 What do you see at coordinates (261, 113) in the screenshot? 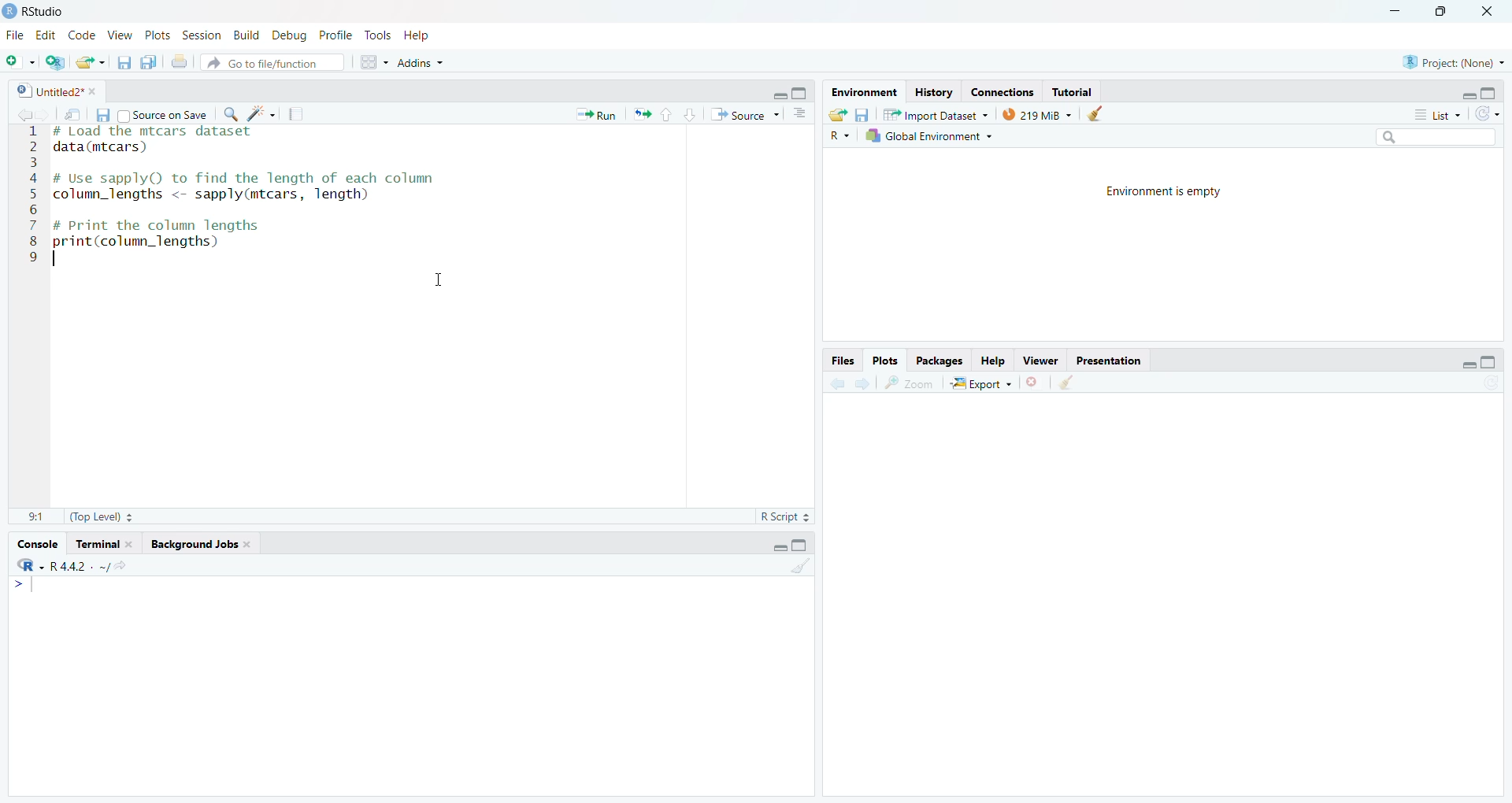
I see `Code Tools` at bounding box center [261, 113].